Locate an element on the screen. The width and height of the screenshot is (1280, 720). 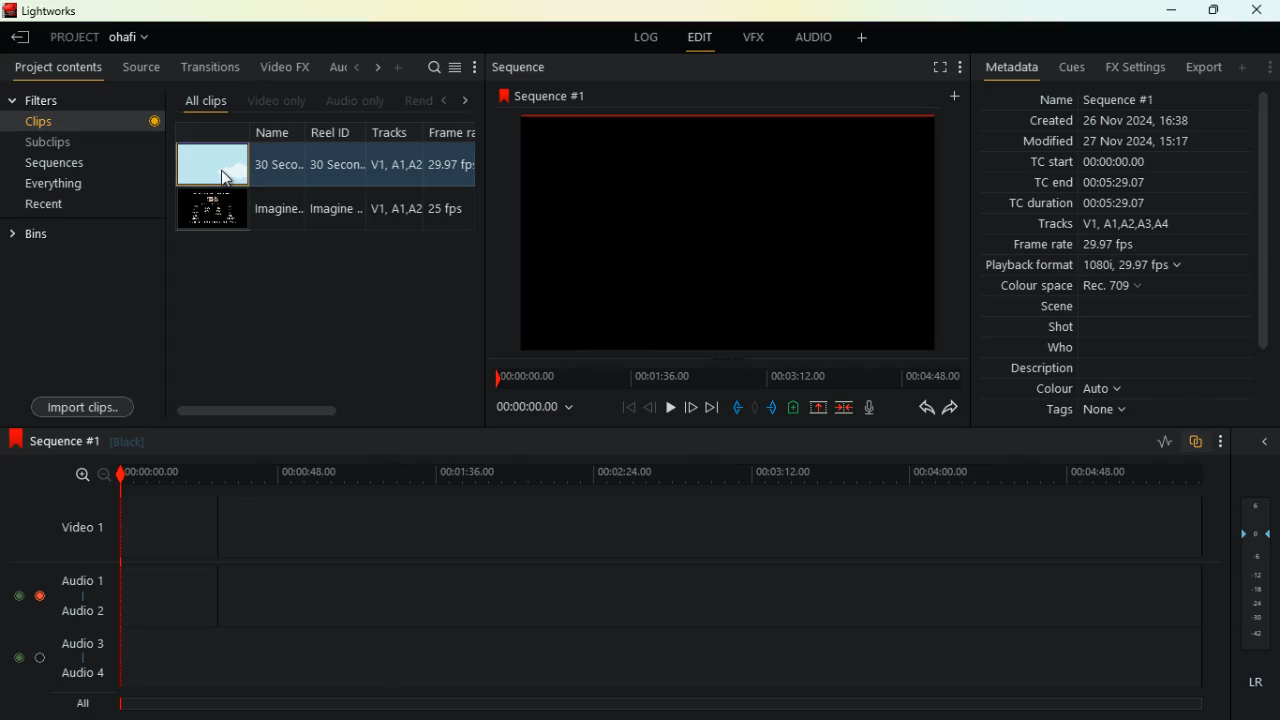
timeline is located at coordinates (657, 704).